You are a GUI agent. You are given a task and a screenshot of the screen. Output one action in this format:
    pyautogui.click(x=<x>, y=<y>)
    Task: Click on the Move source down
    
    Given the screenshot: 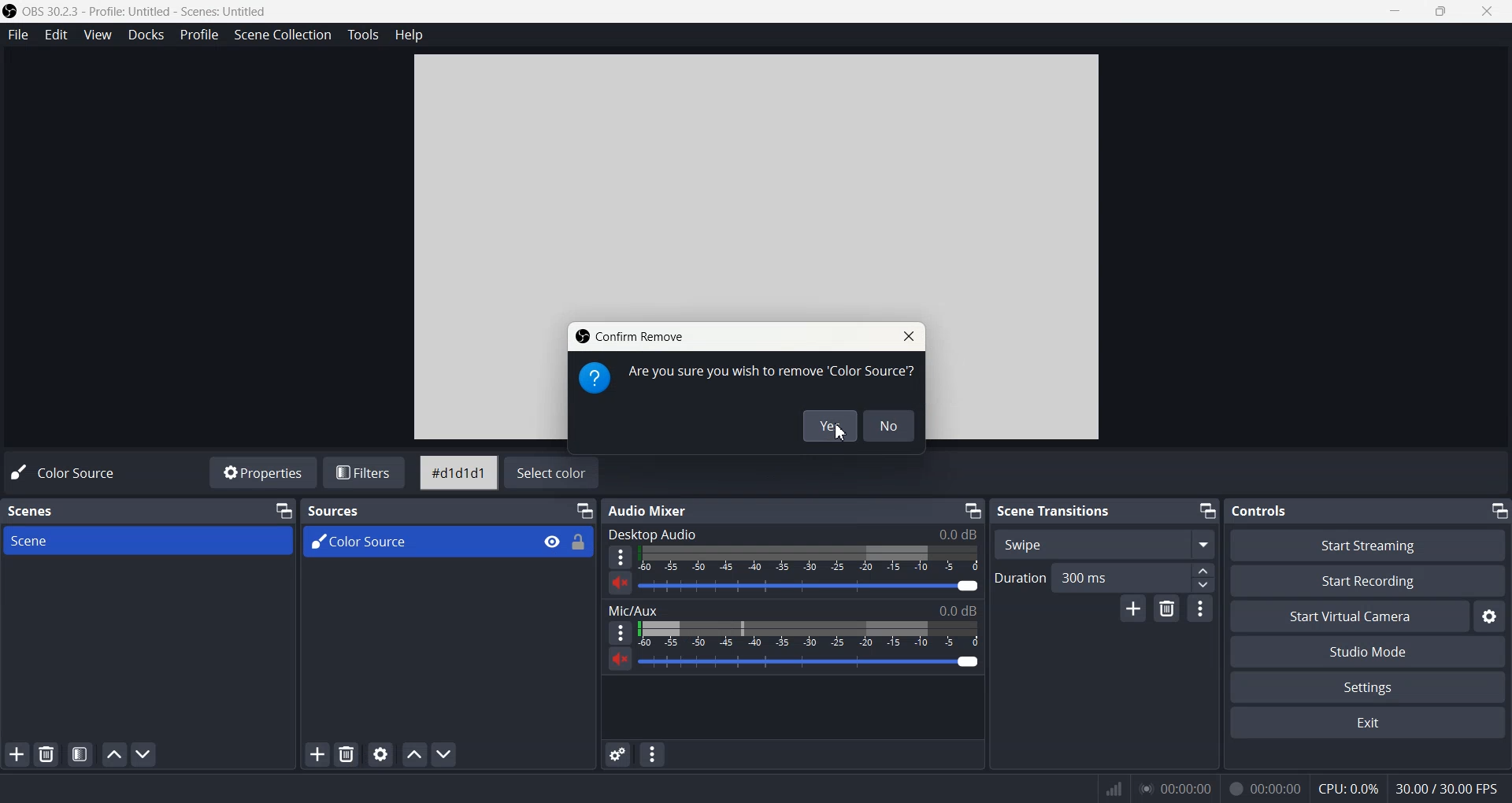 What is the action you would take?
    pyautogui.click(x=444, y=753)
    